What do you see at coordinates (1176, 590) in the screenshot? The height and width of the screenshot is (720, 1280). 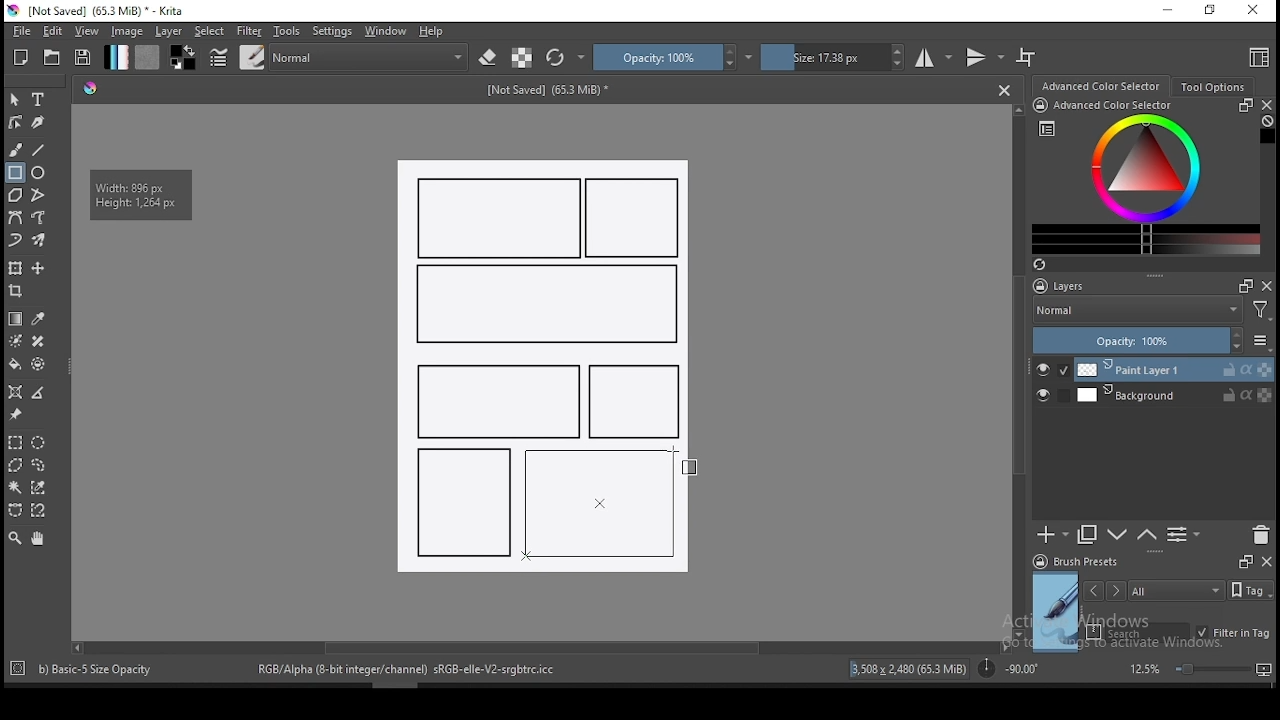 I see `tags` at bounding box center [1176, 590].